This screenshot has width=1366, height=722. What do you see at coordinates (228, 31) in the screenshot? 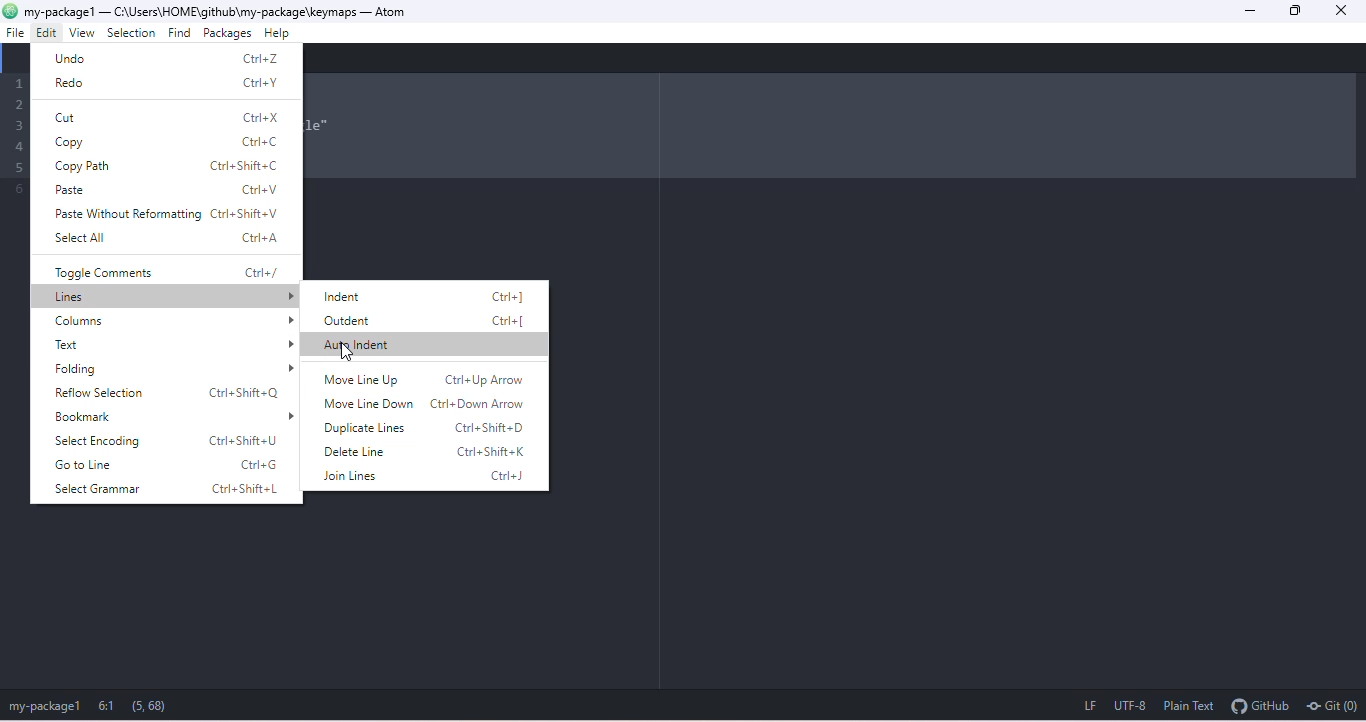
I see `packages` at bounding box center [228, 31].